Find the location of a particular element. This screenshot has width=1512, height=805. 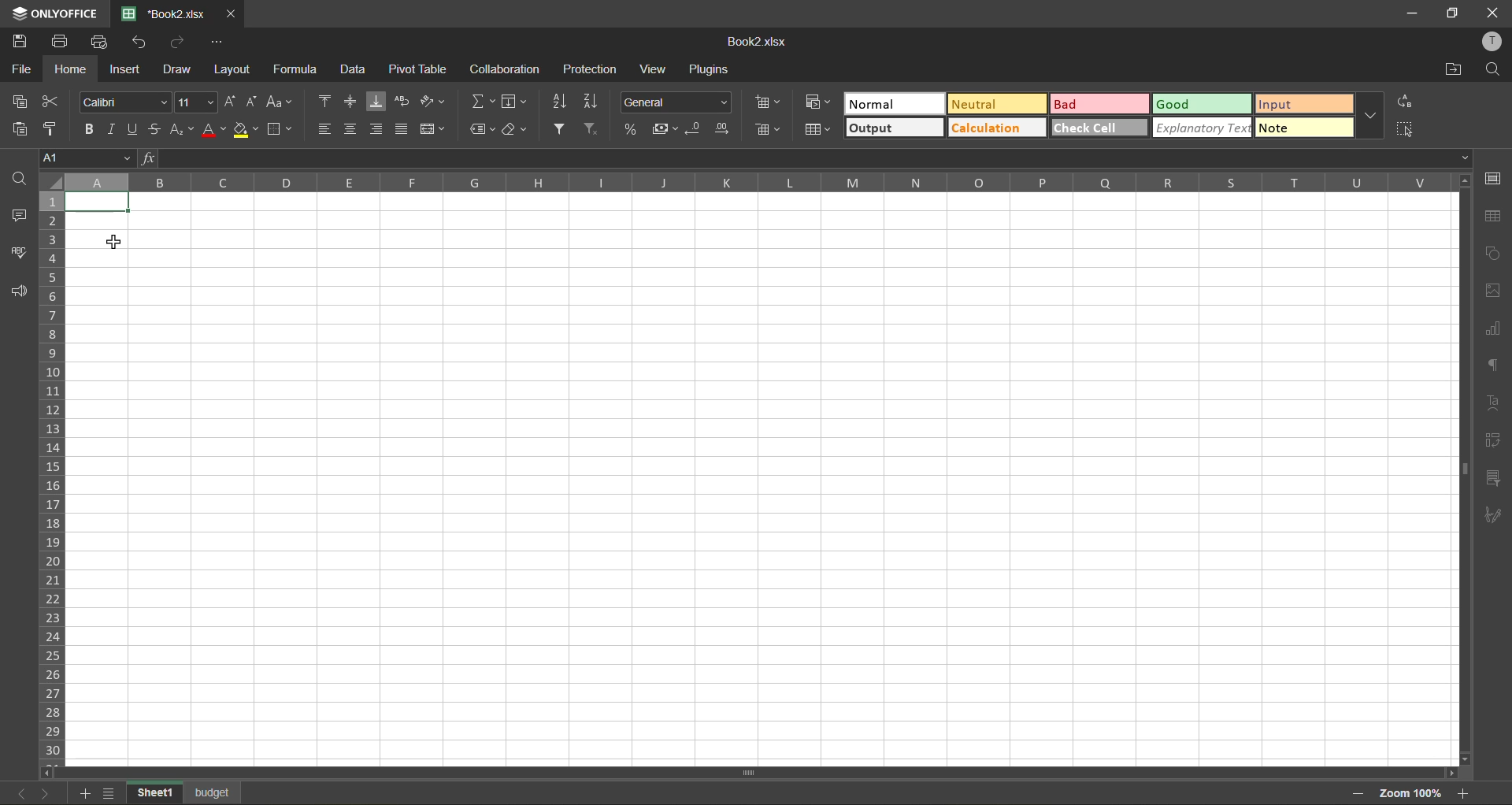

cell settings is located at coordinates (1493, 180).